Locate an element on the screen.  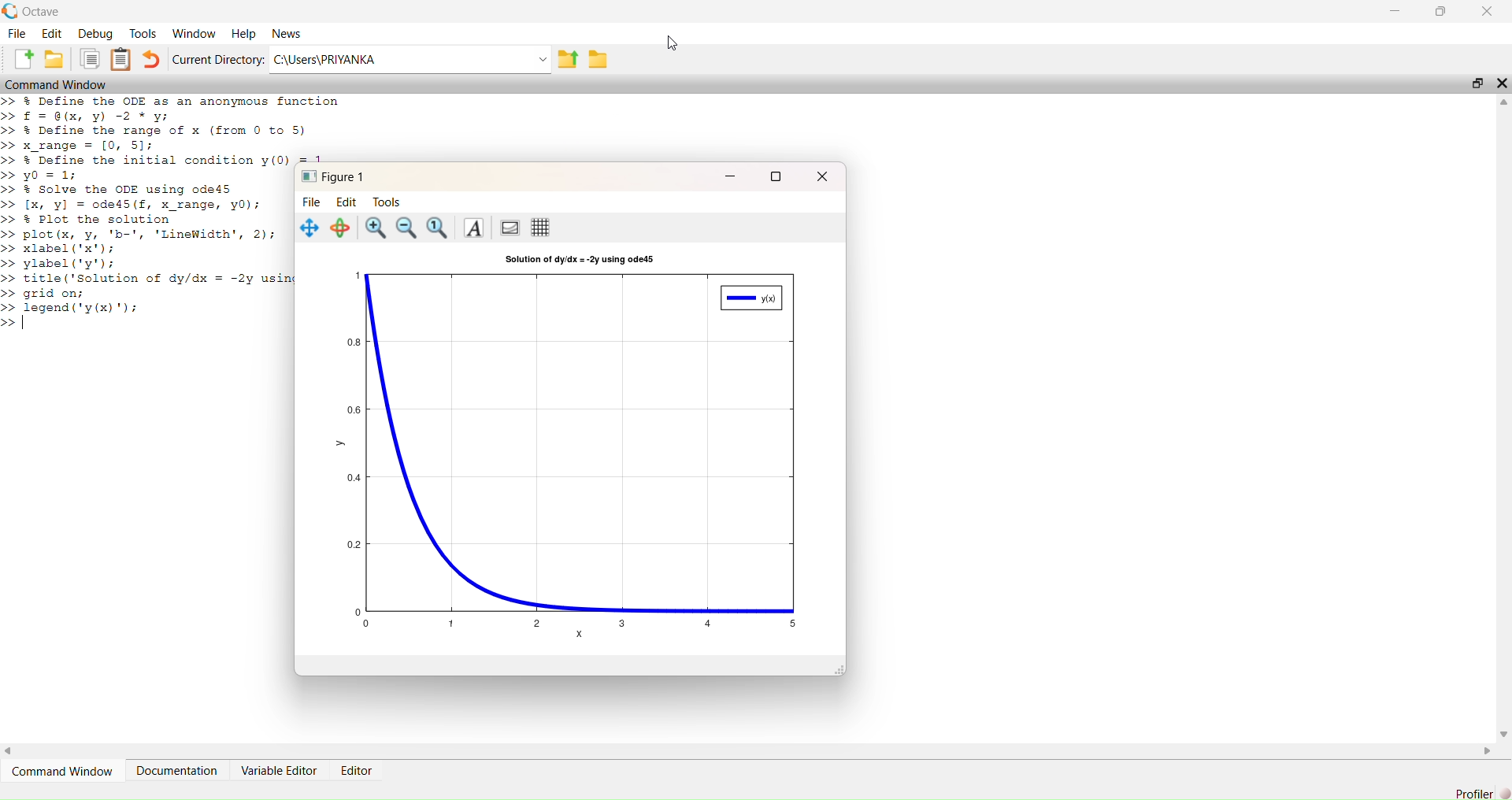
Help is located at coordinates (243, 34).